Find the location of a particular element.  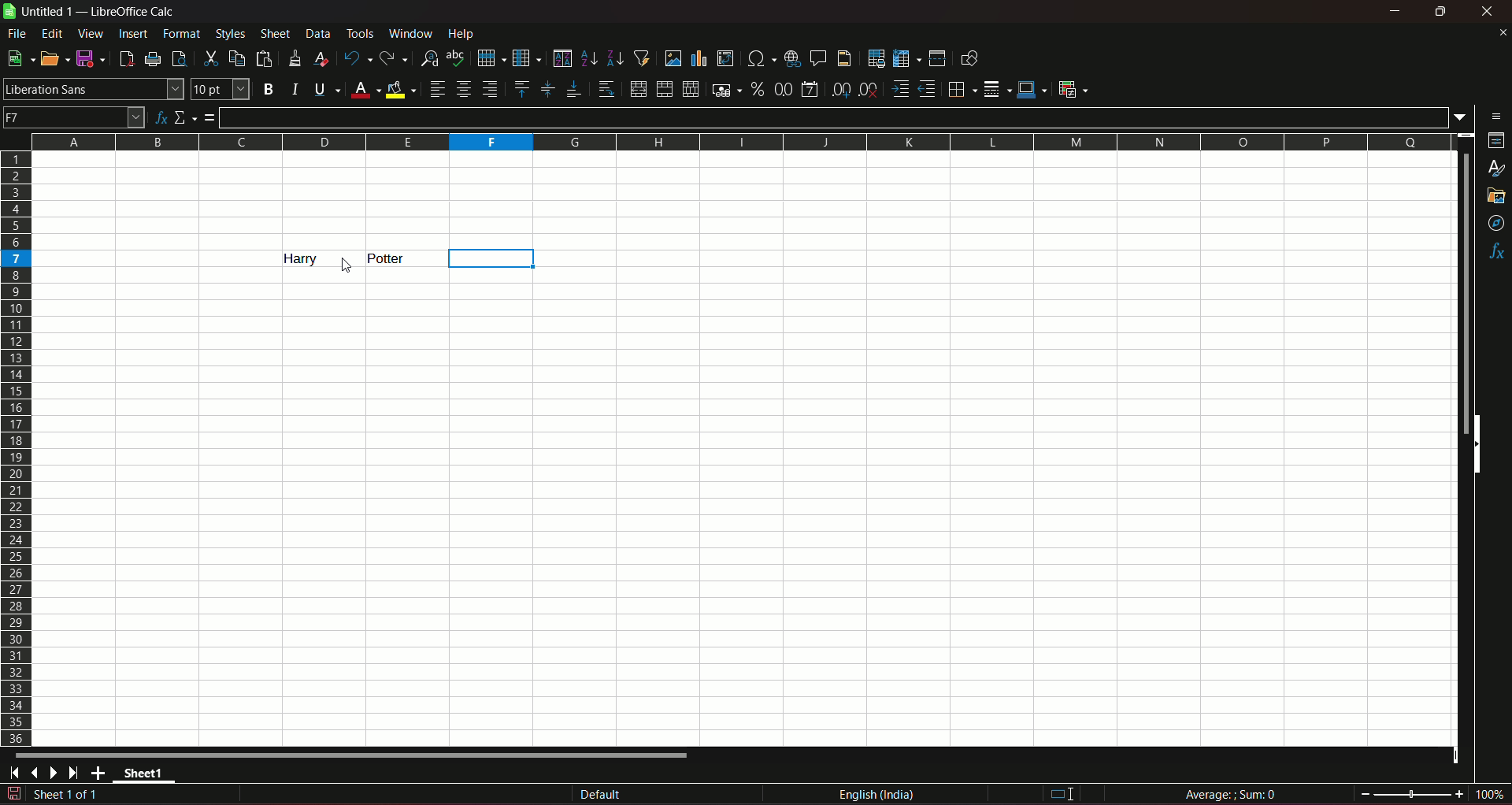

column highlight is located at coordinates (488, 258).